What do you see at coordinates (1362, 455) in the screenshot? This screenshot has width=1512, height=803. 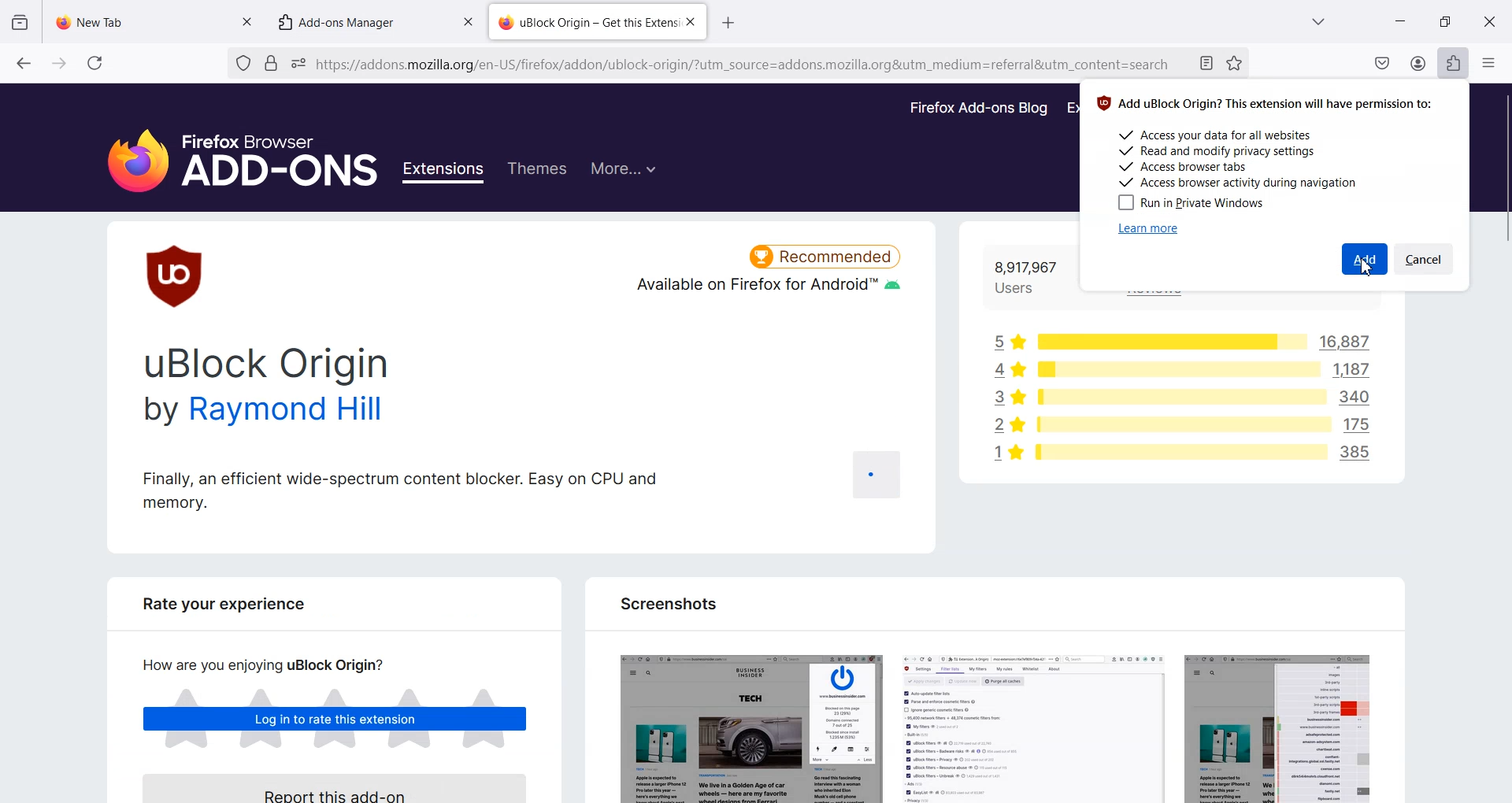 I see `385 users` at bounding box center [1362, 455].